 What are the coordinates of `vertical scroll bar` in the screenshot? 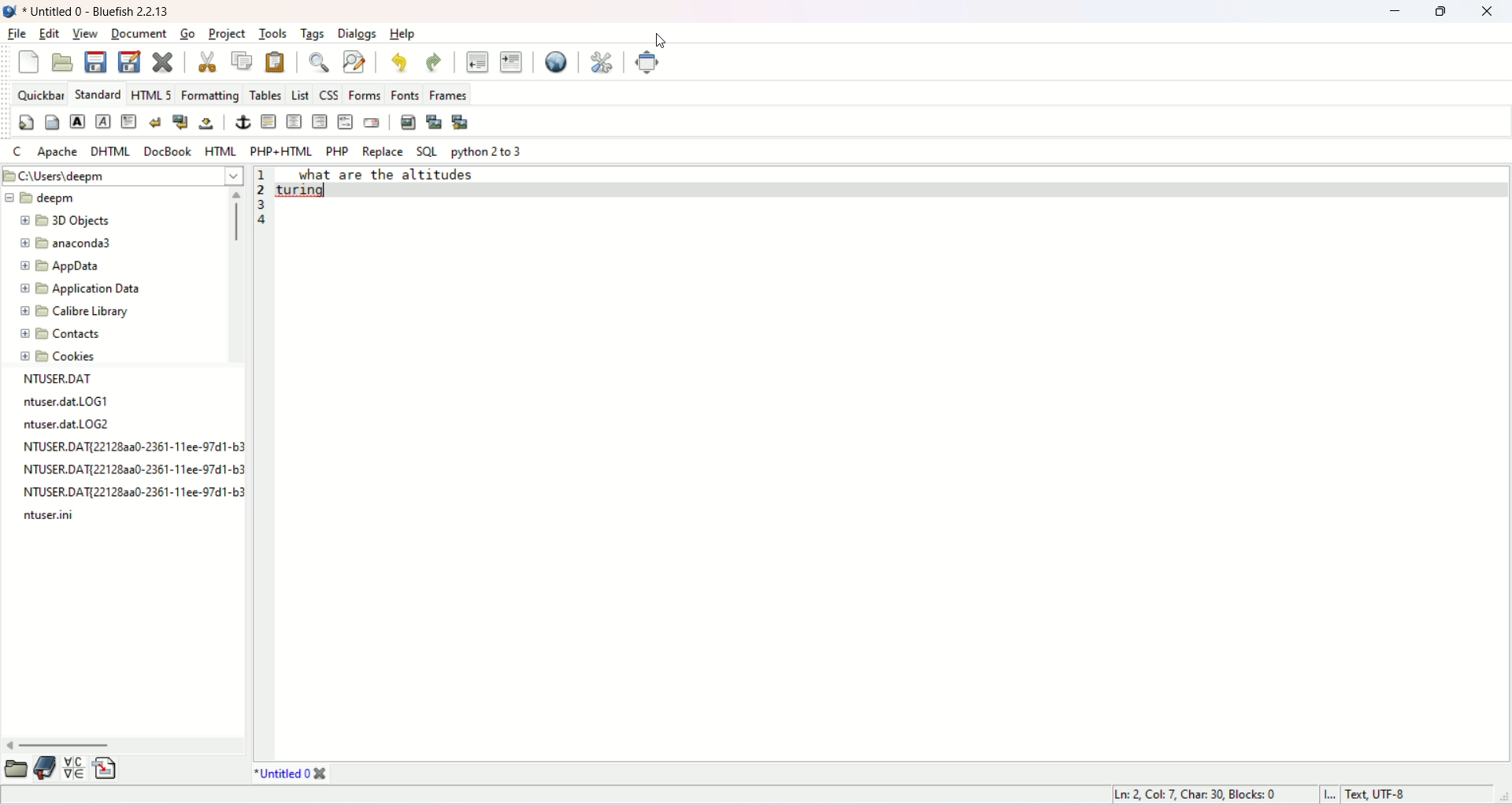 It's located at (233, 276).